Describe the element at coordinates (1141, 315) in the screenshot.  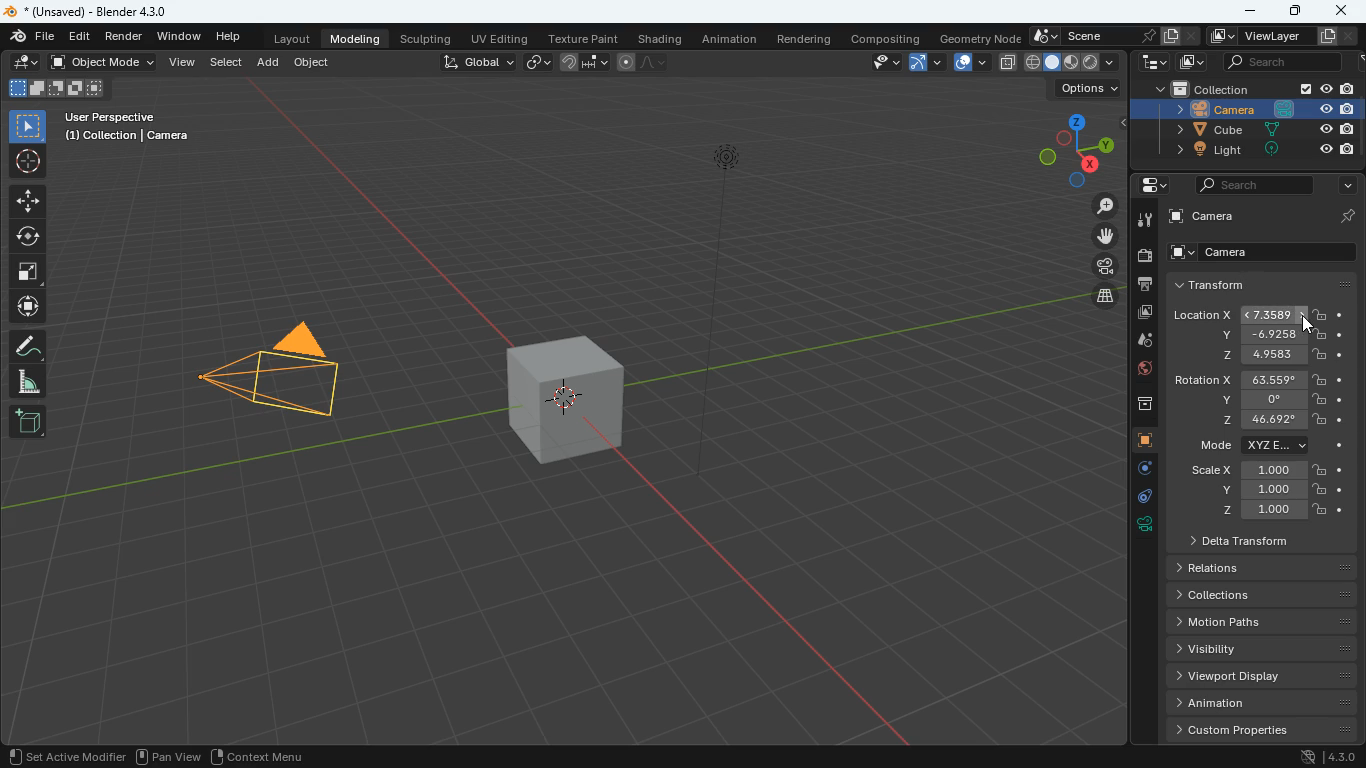
I see `image` at that location.